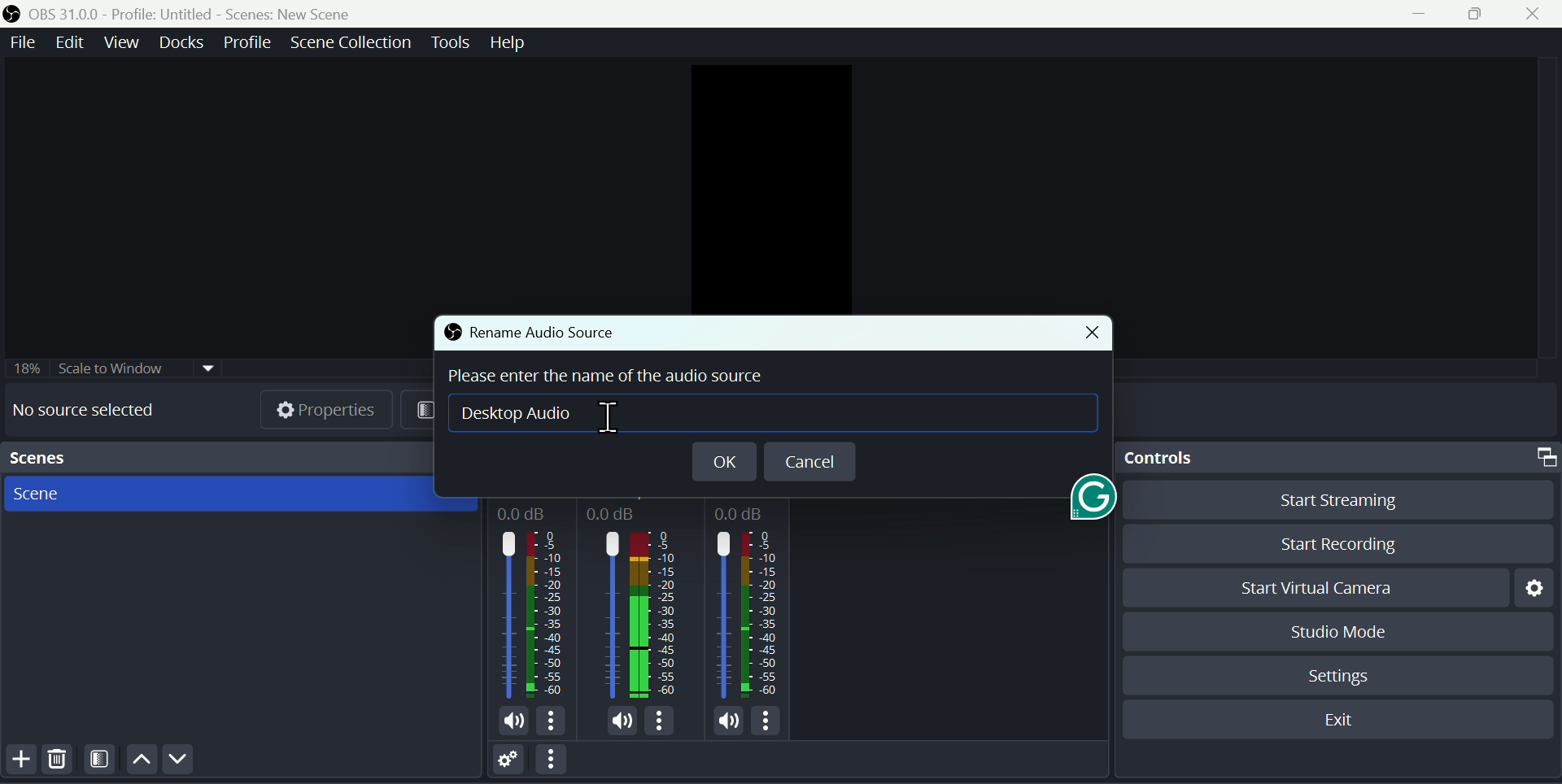 This screenshot has height=784, width=1562. What do you see at coordinates (722, 460) in the screenshot?
I see `OK` at bounding box center [722, 460].